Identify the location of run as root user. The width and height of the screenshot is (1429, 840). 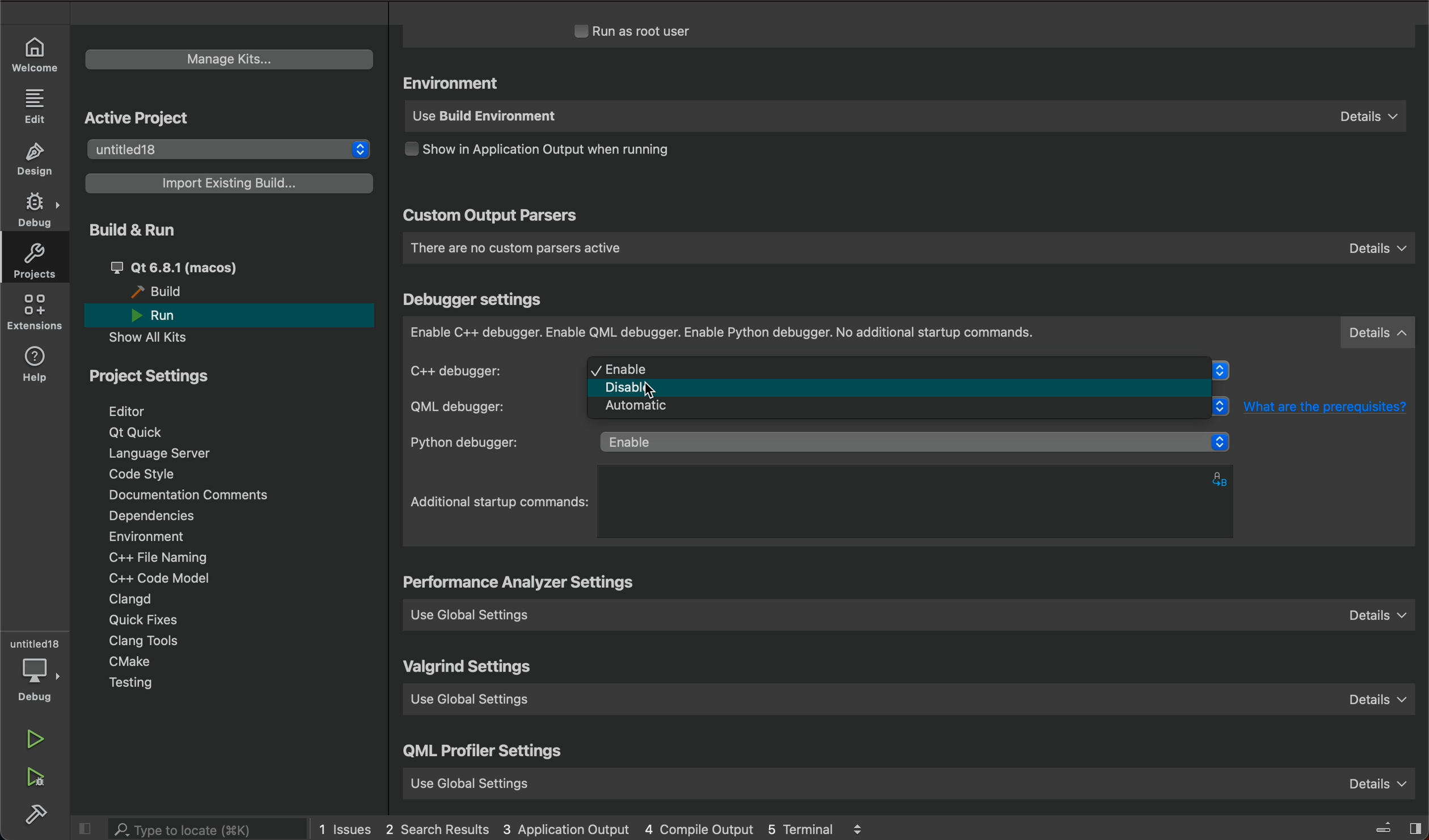
(647, 31).